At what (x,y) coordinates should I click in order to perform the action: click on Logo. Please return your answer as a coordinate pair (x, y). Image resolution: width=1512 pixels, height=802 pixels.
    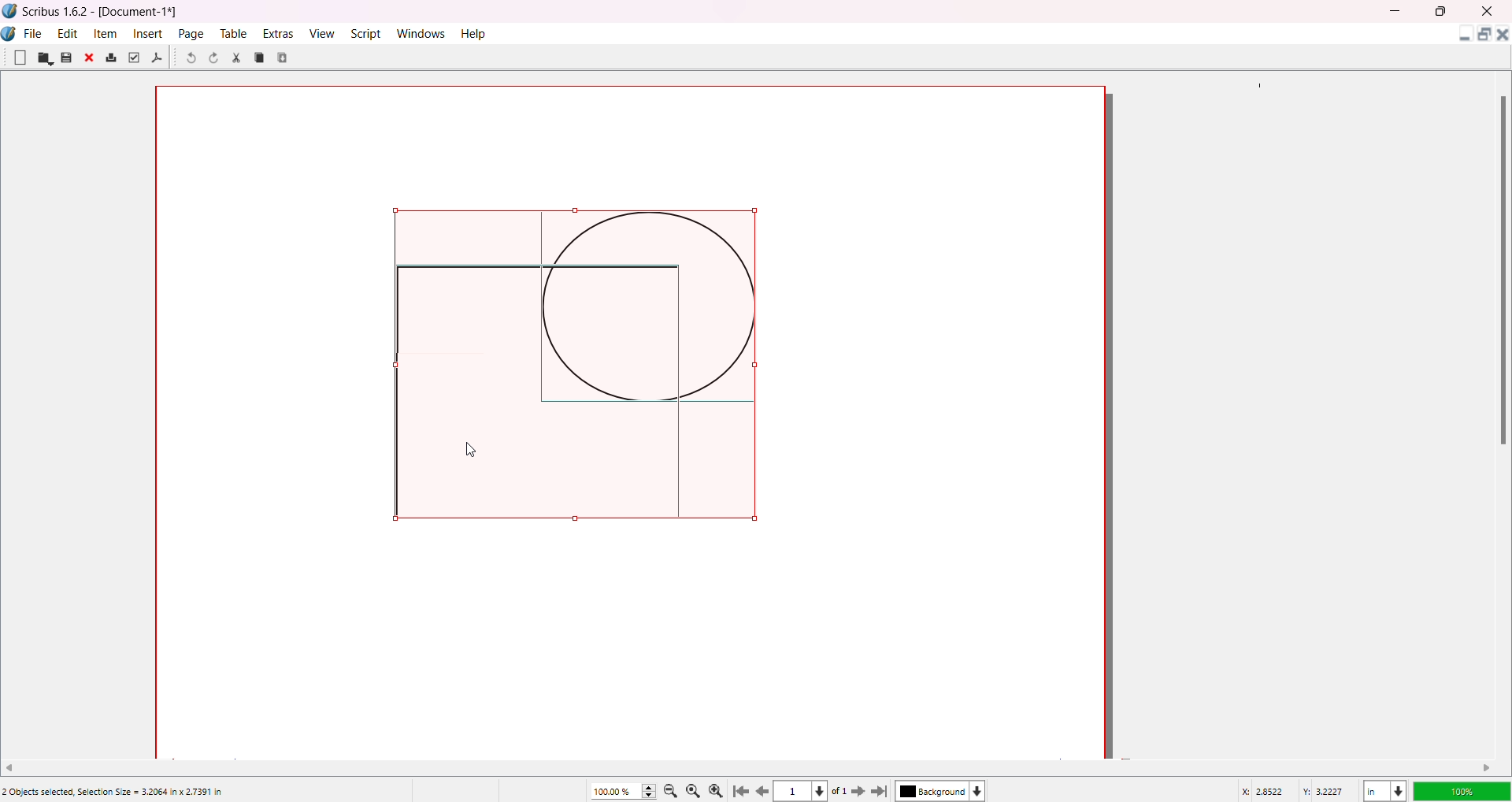
    Looking at the image, I should click on (10, 11).